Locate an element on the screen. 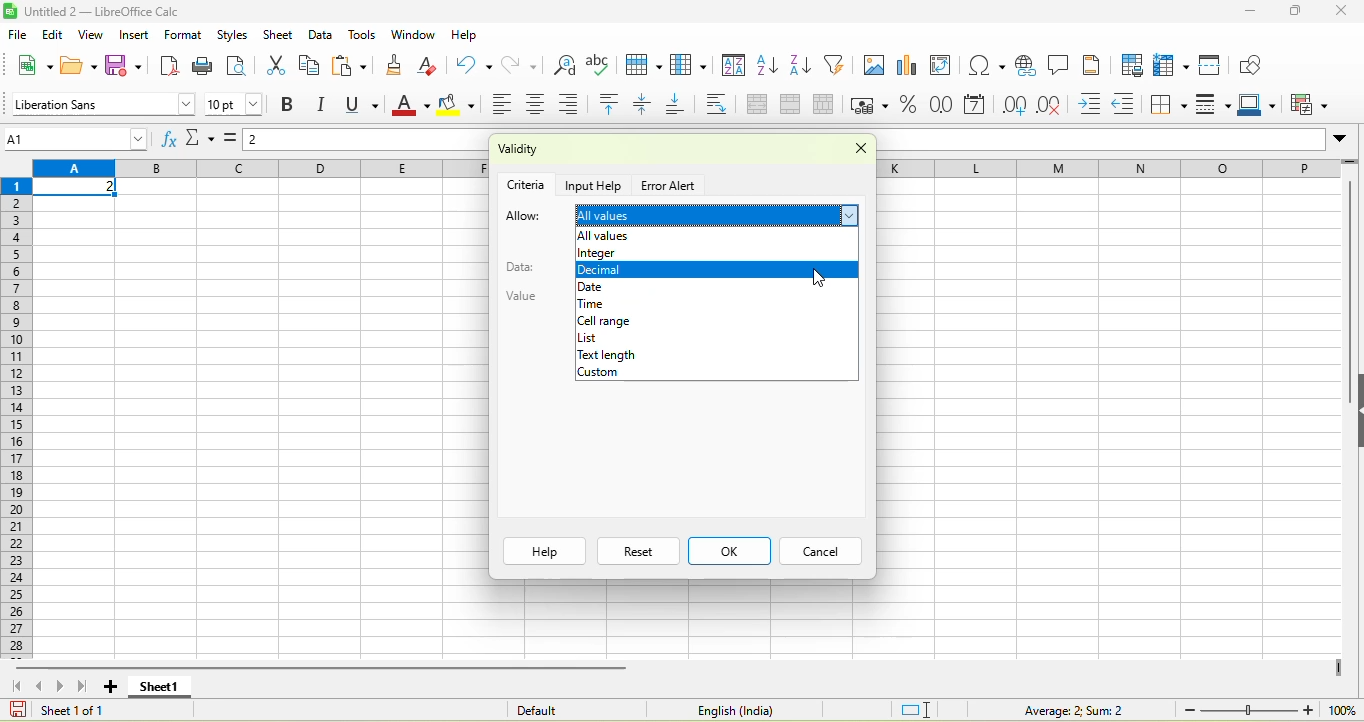 The width and height of the screenshot is (1364, 722). redo is located at coordinates (526, 64).